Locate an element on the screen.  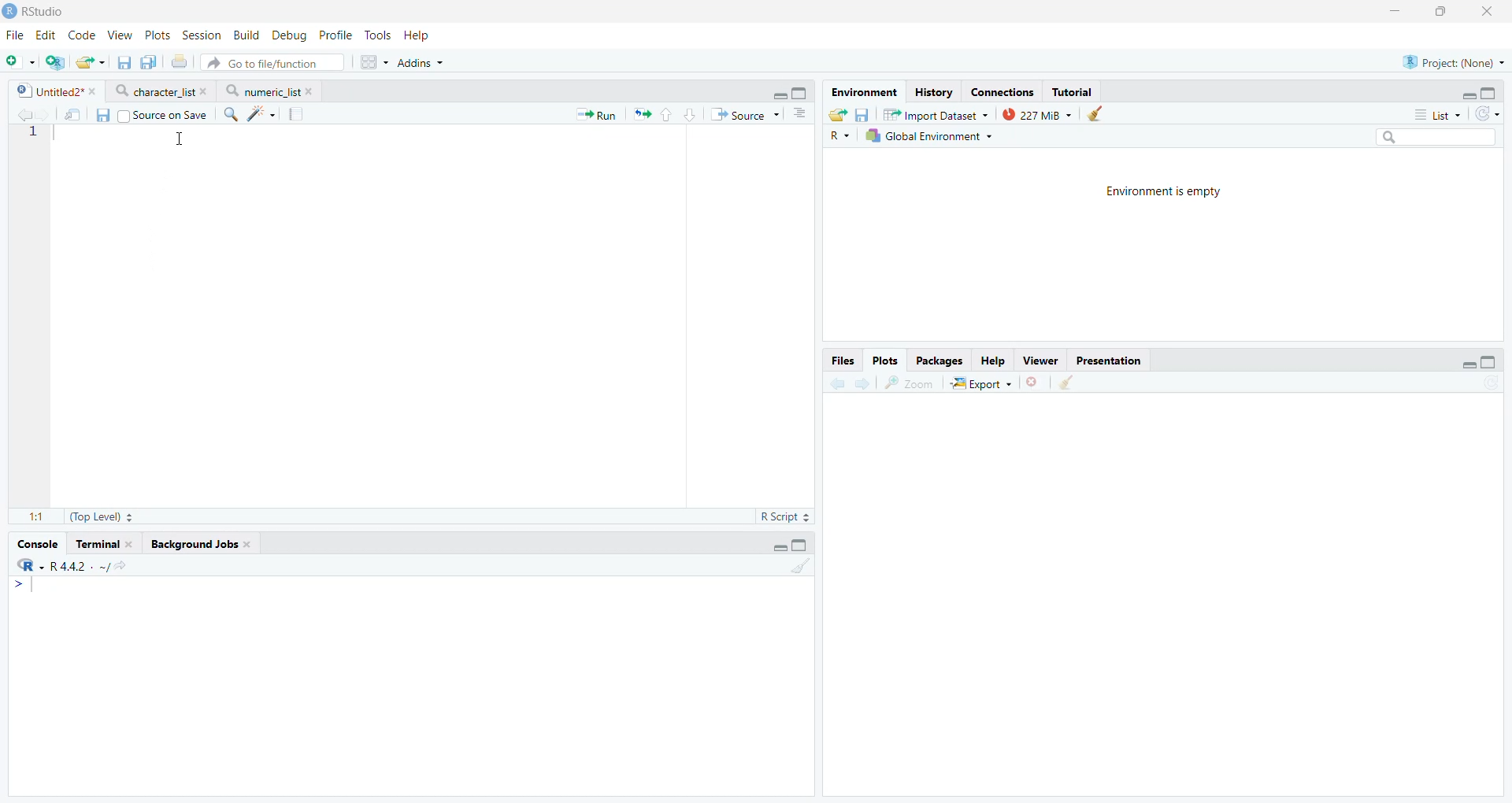
Packages is located at coordinates (941, 361).